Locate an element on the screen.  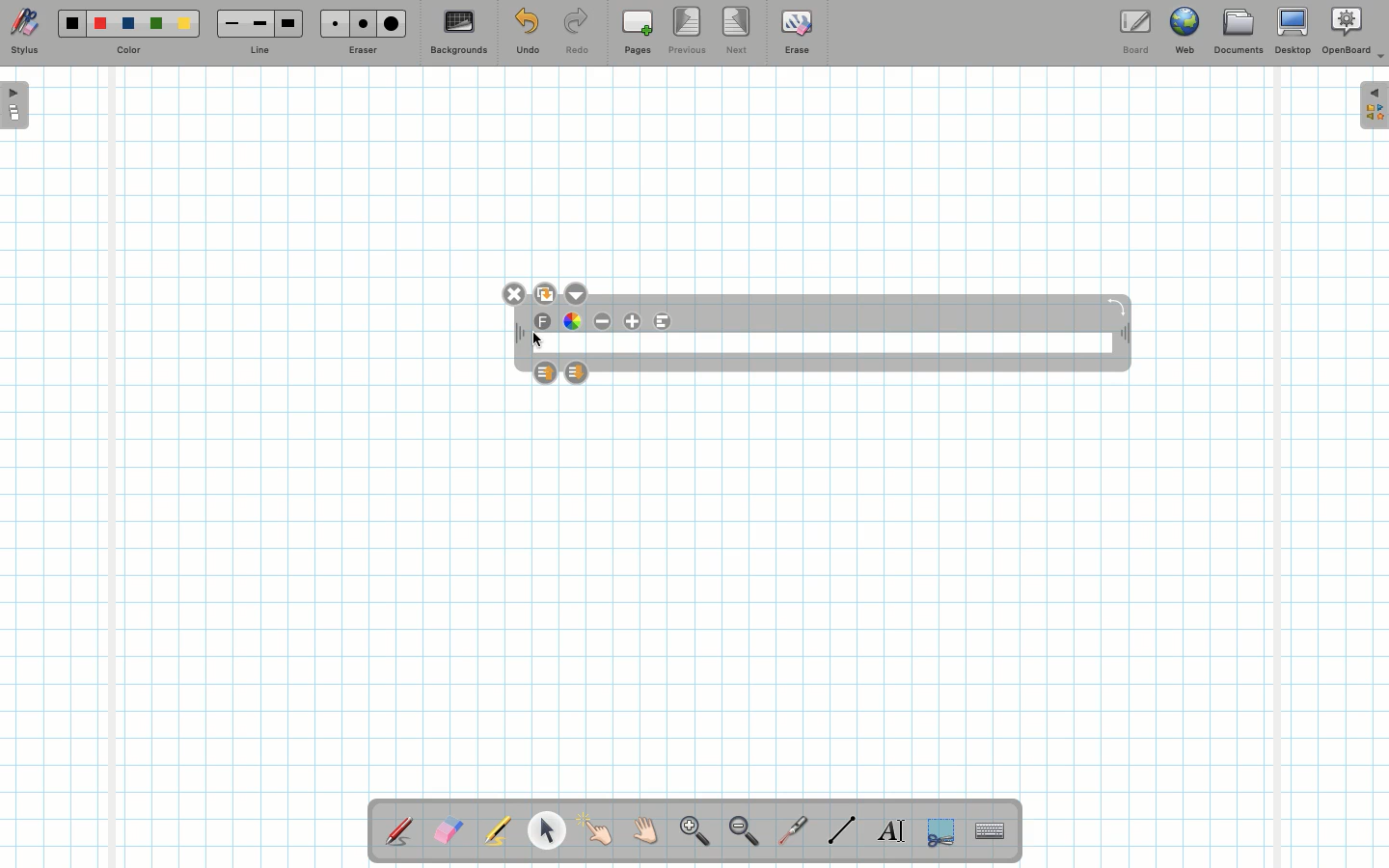
Medium eraser is located at coordinates (360, 23).